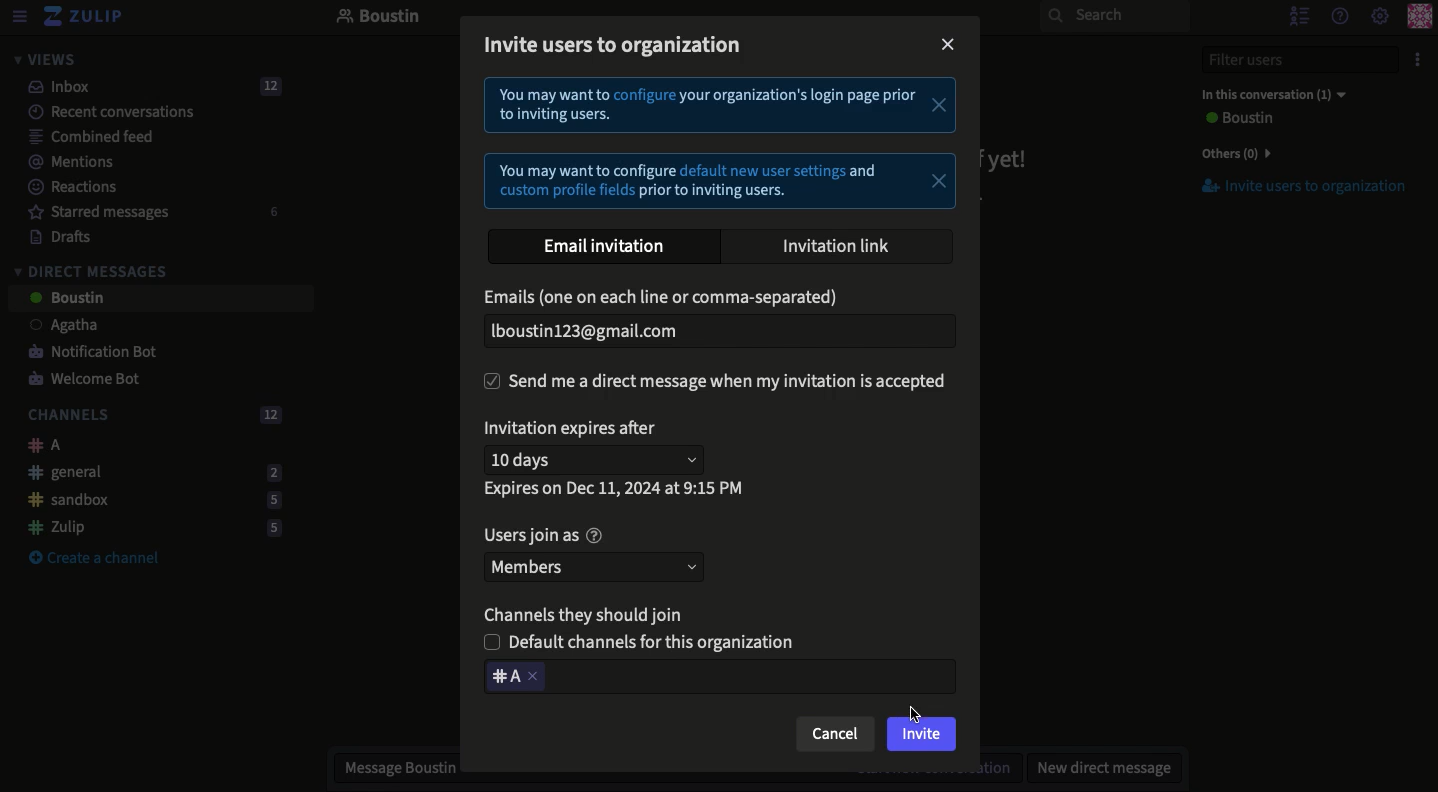 The image size is (1438, 792). I want to click on Starred messages, so click(150, 212).